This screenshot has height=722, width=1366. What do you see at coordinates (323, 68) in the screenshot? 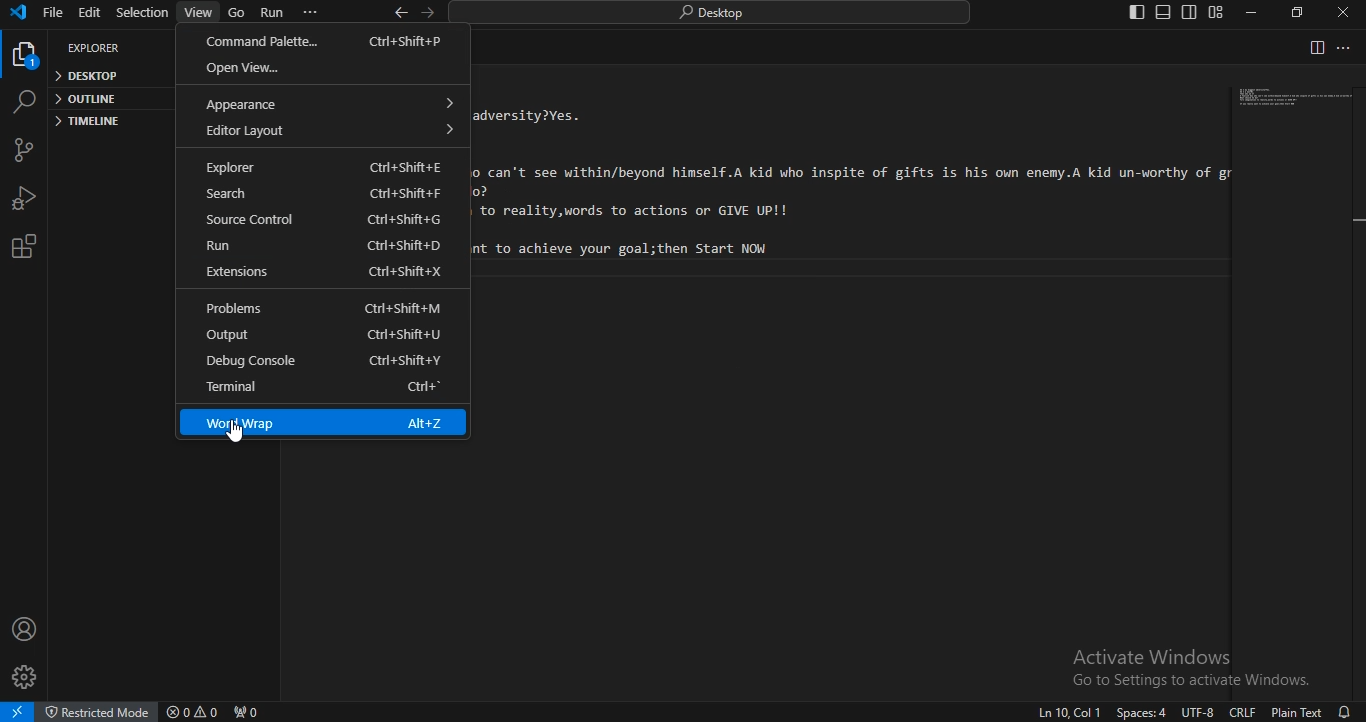
I see `open view` at bounding box center [323, 68].